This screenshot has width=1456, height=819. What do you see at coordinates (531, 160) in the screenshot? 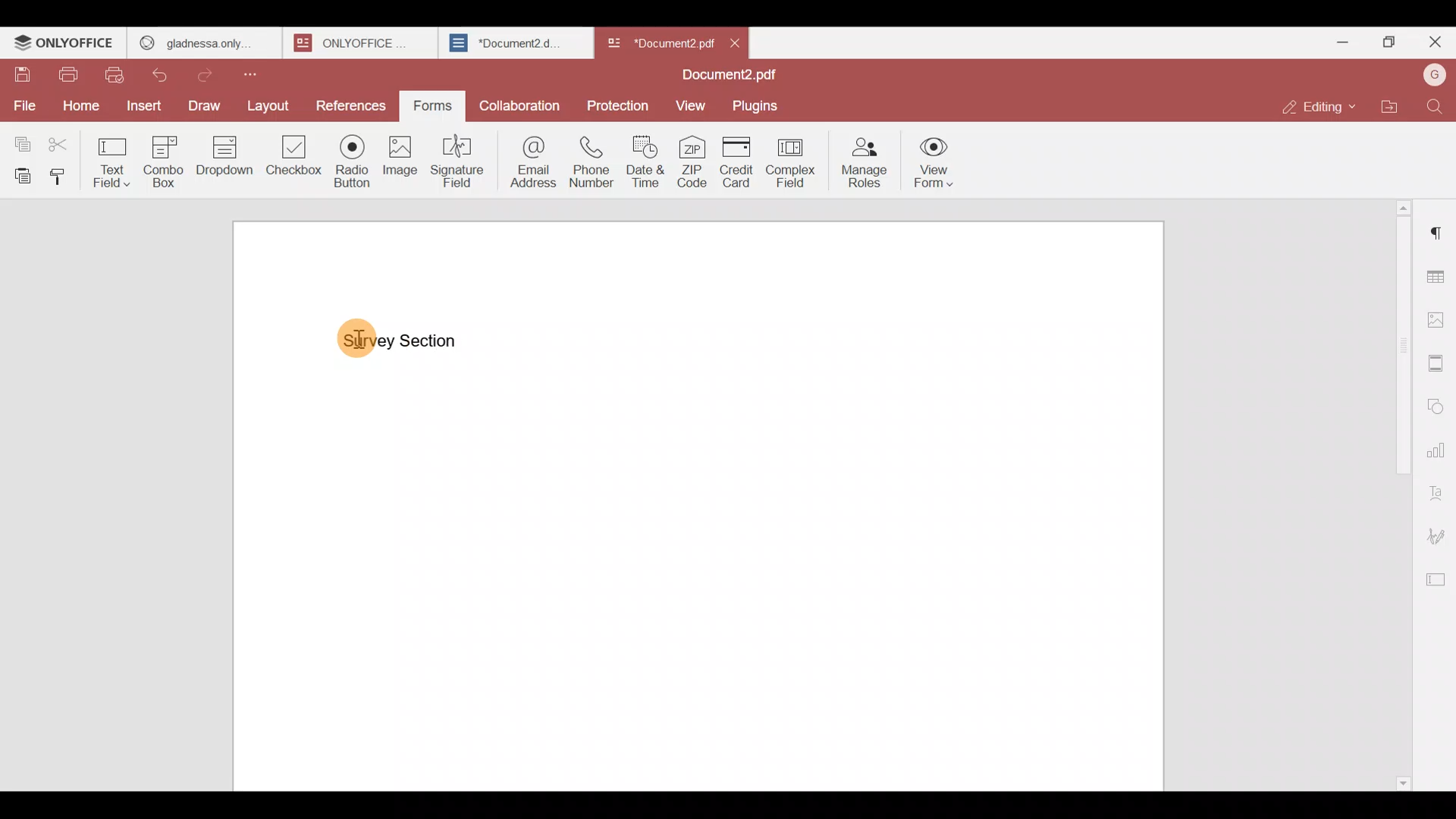
I see `Email address` at bounding box center [531, 160].